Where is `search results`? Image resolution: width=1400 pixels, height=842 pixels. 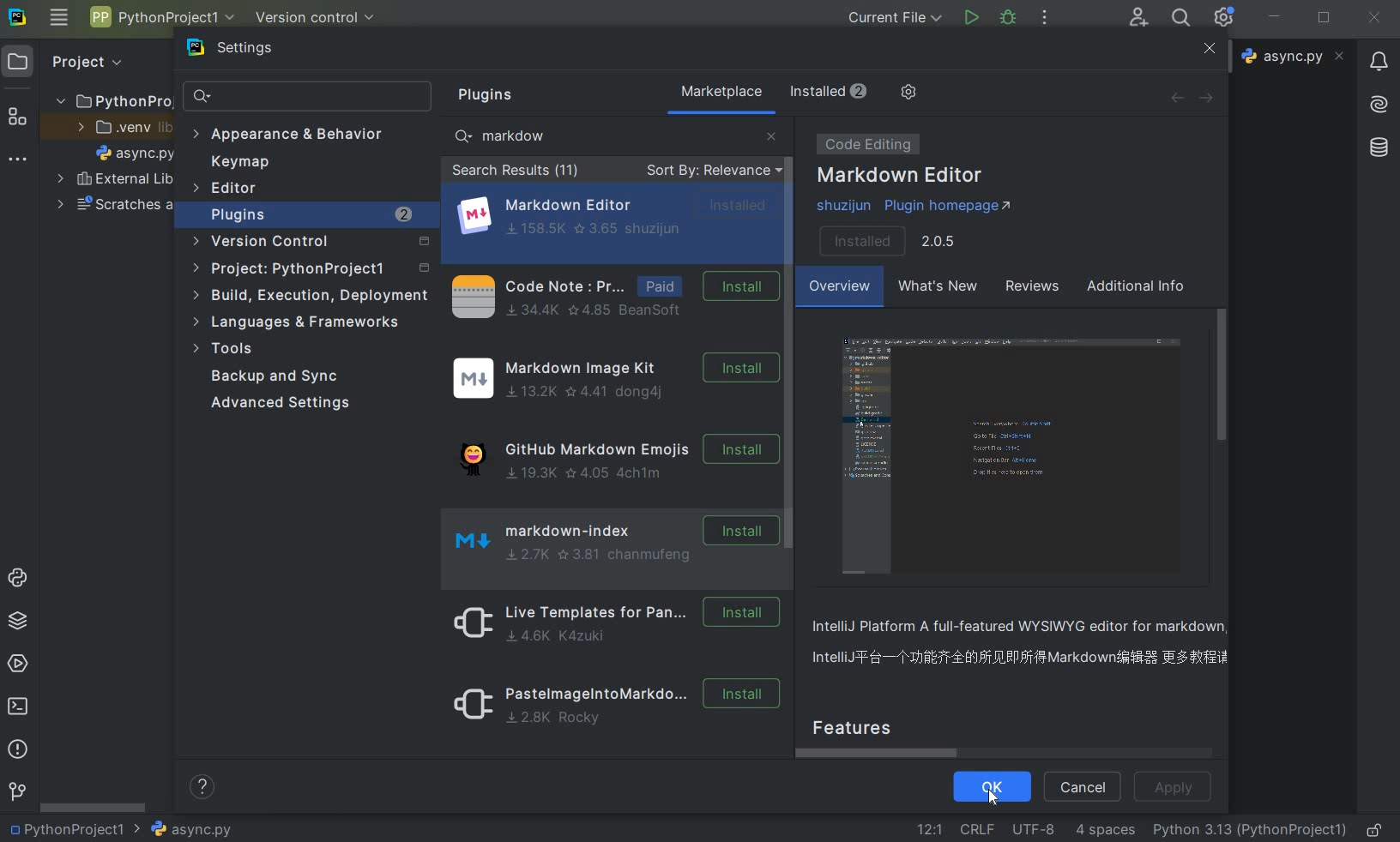
search results is located at coordinates (516, 172).